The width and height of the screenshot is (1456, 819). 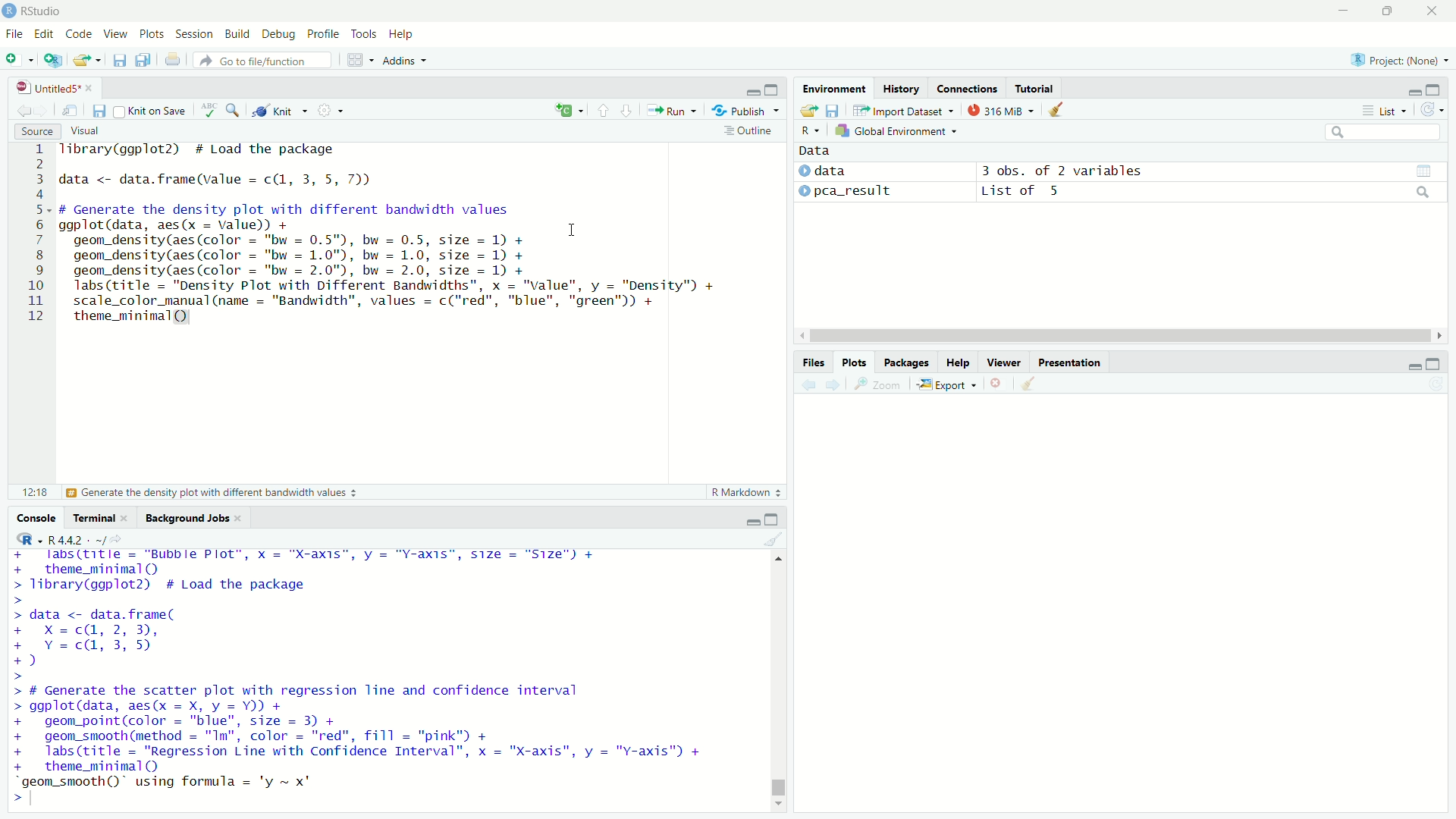 I want to click on 316 MiB, so click(x=1000, y=110).